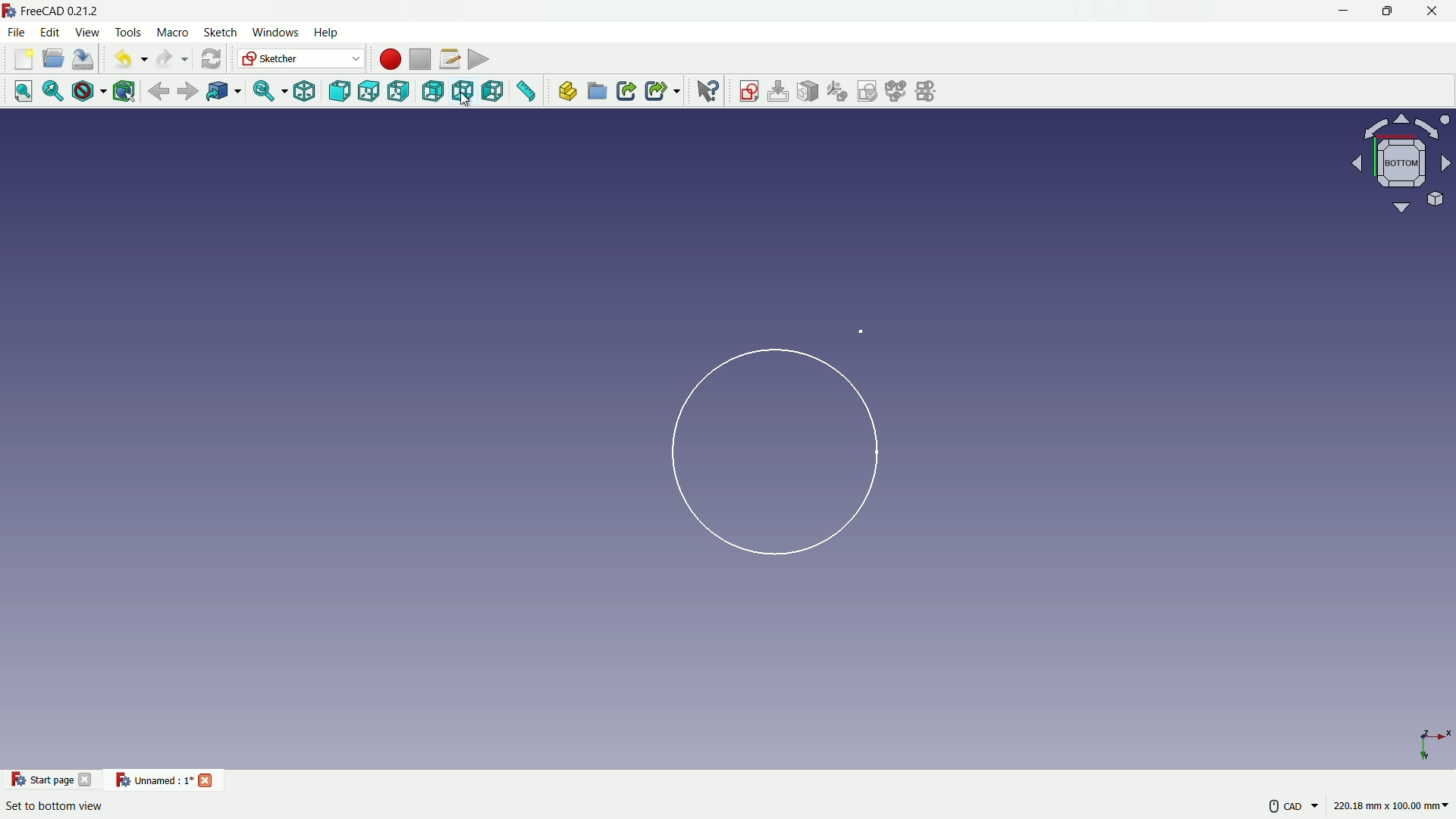  Describe the element at coordinates (24, 93) in the screenshot. I see `fit all` at that location.